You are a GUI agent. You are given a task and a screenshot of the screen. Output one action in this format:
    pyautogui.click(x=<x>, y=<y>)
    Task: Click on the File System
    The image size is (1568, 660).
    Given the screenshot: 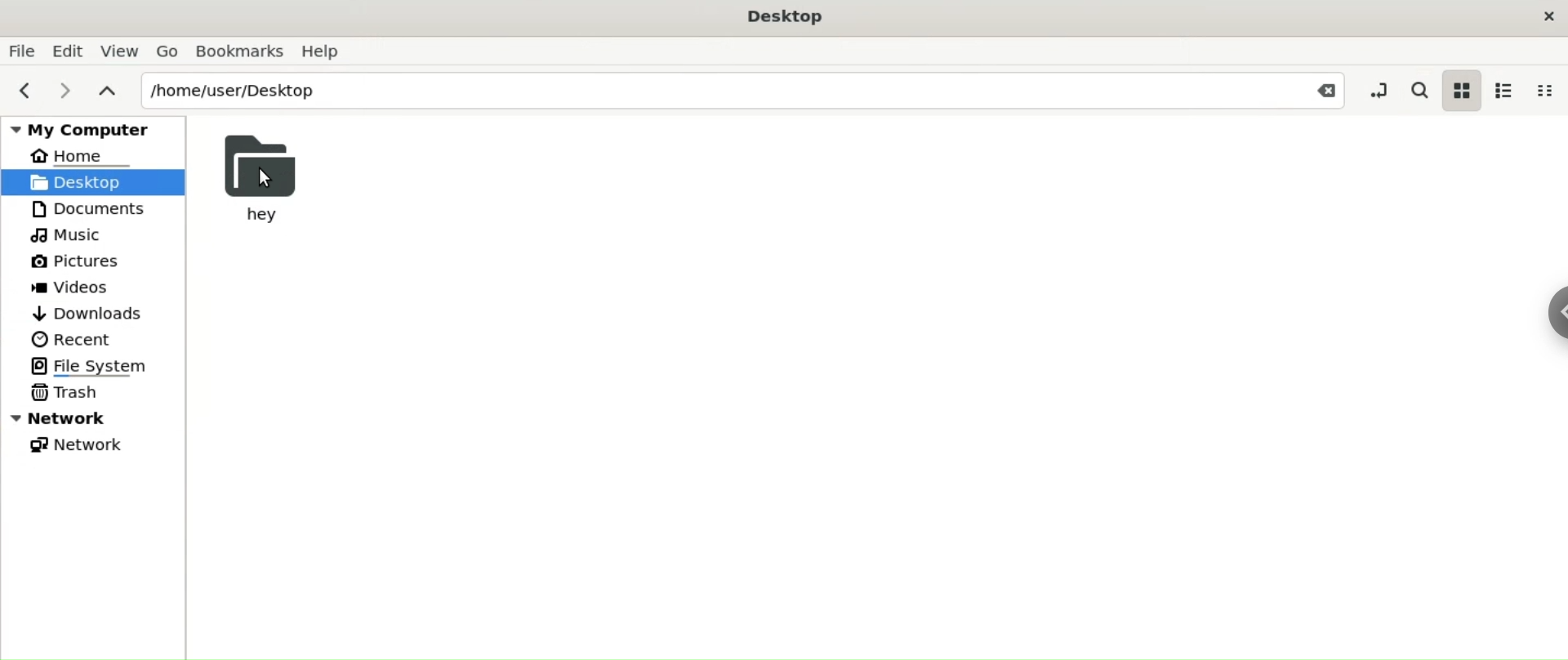 What is the action you would take?
    pyautogui.click(x=88, y=366)
    